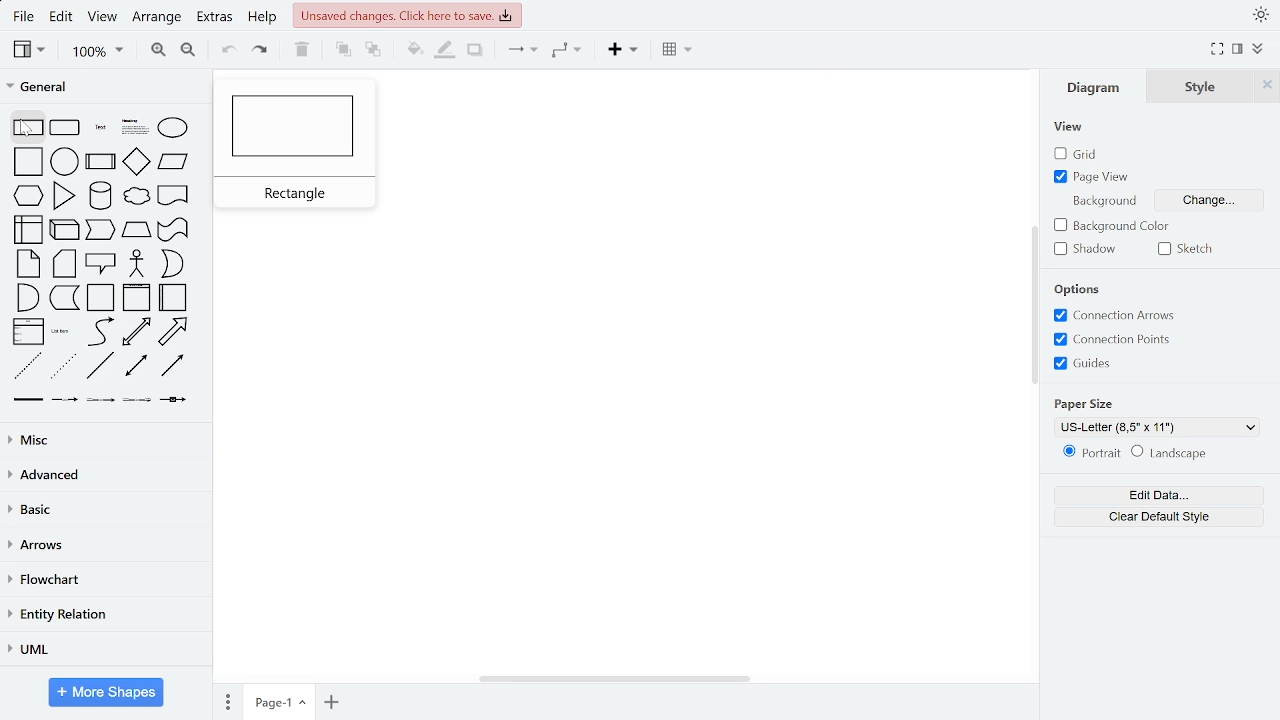 The image size is (1280, 720). I want to click on collapse, so click(1238, 51).